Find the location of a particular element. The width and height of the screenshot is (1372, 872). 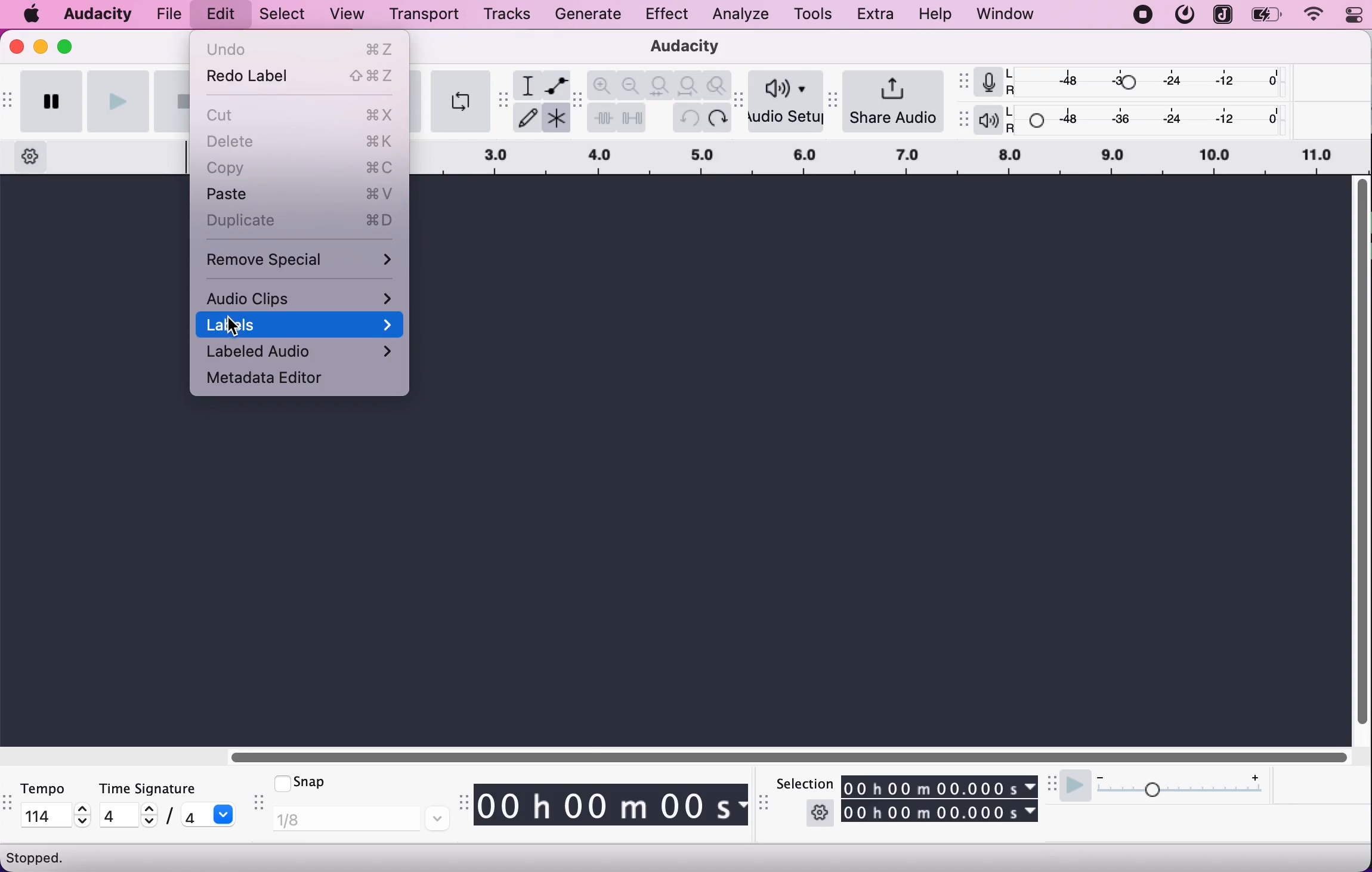

decrease is located at coordinates (83, 822).